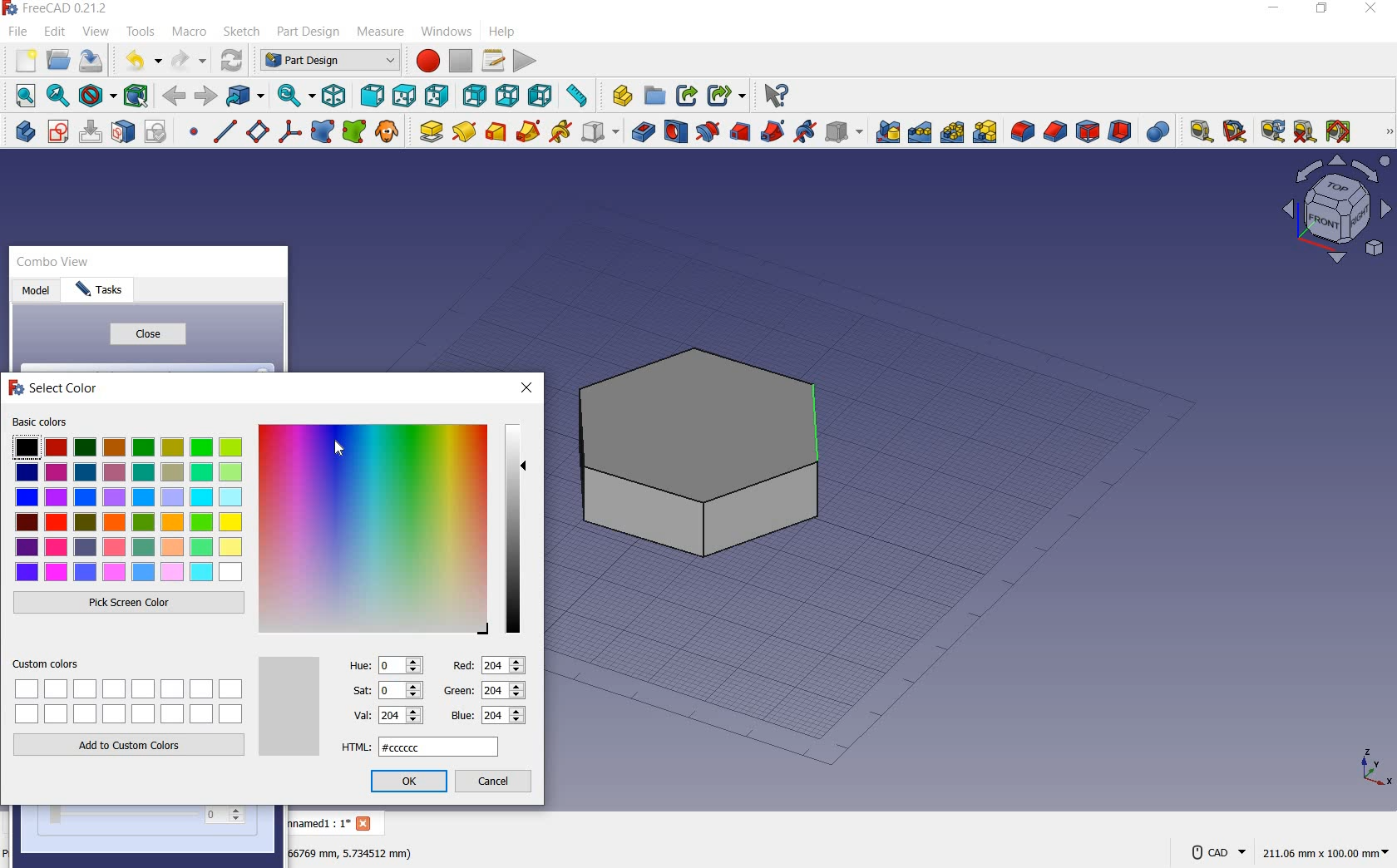  Describe the element at coordinates (190, 32) in the screenshot. I see `macro` at that location.